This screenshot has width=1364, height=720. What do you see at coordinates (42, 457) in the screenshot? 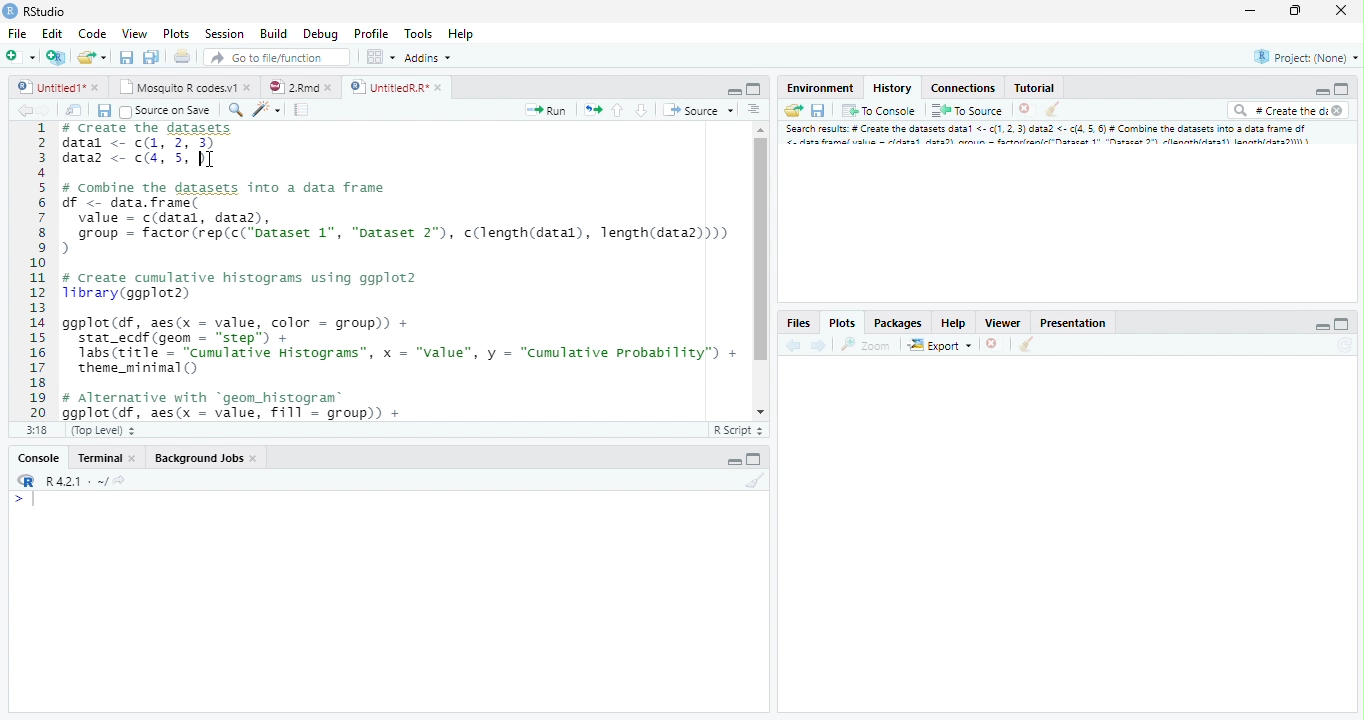
I see `Console` at bounding box center [42, 457].